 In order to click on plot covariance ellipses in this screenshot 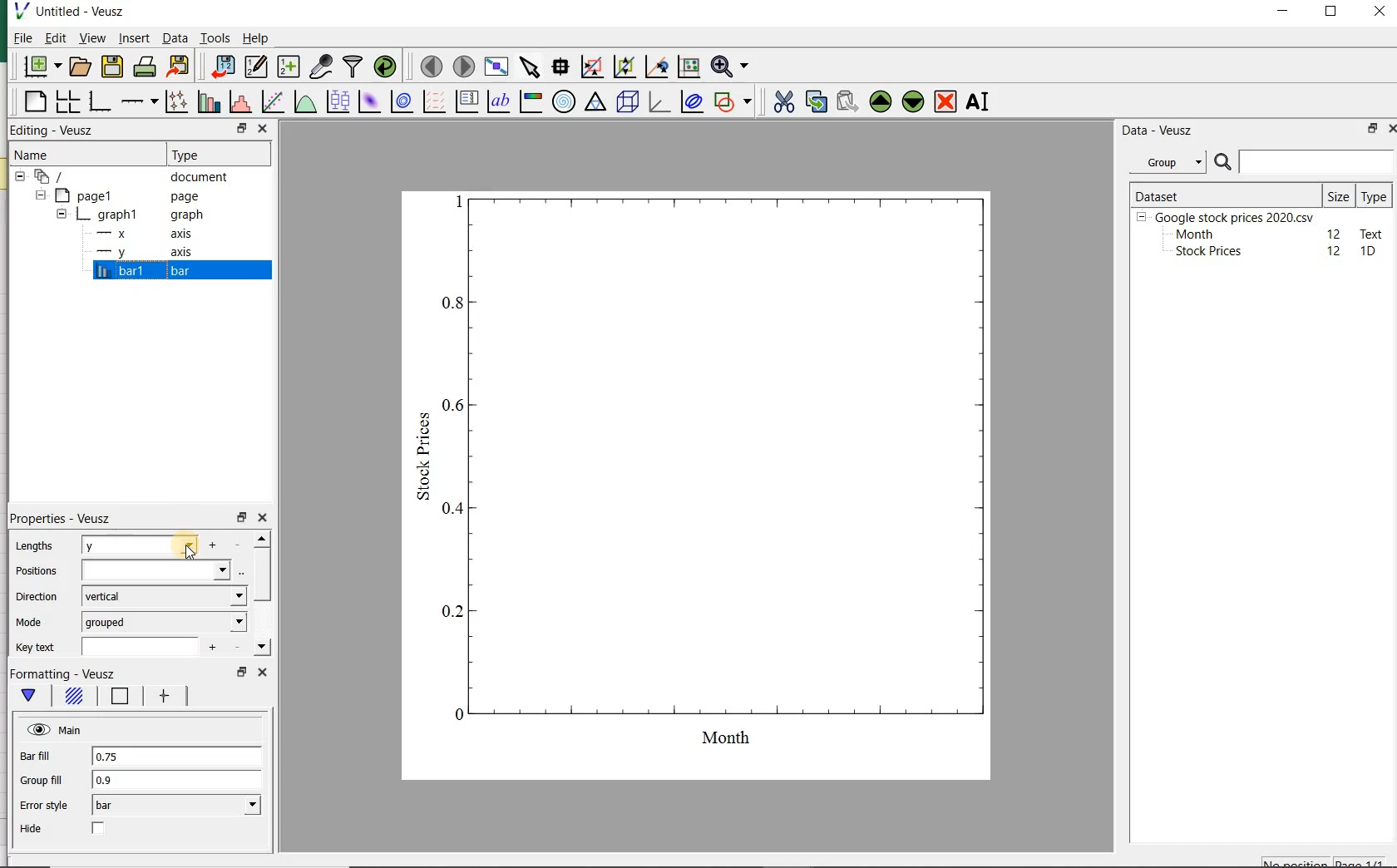, I will do `click(692, 102)`.